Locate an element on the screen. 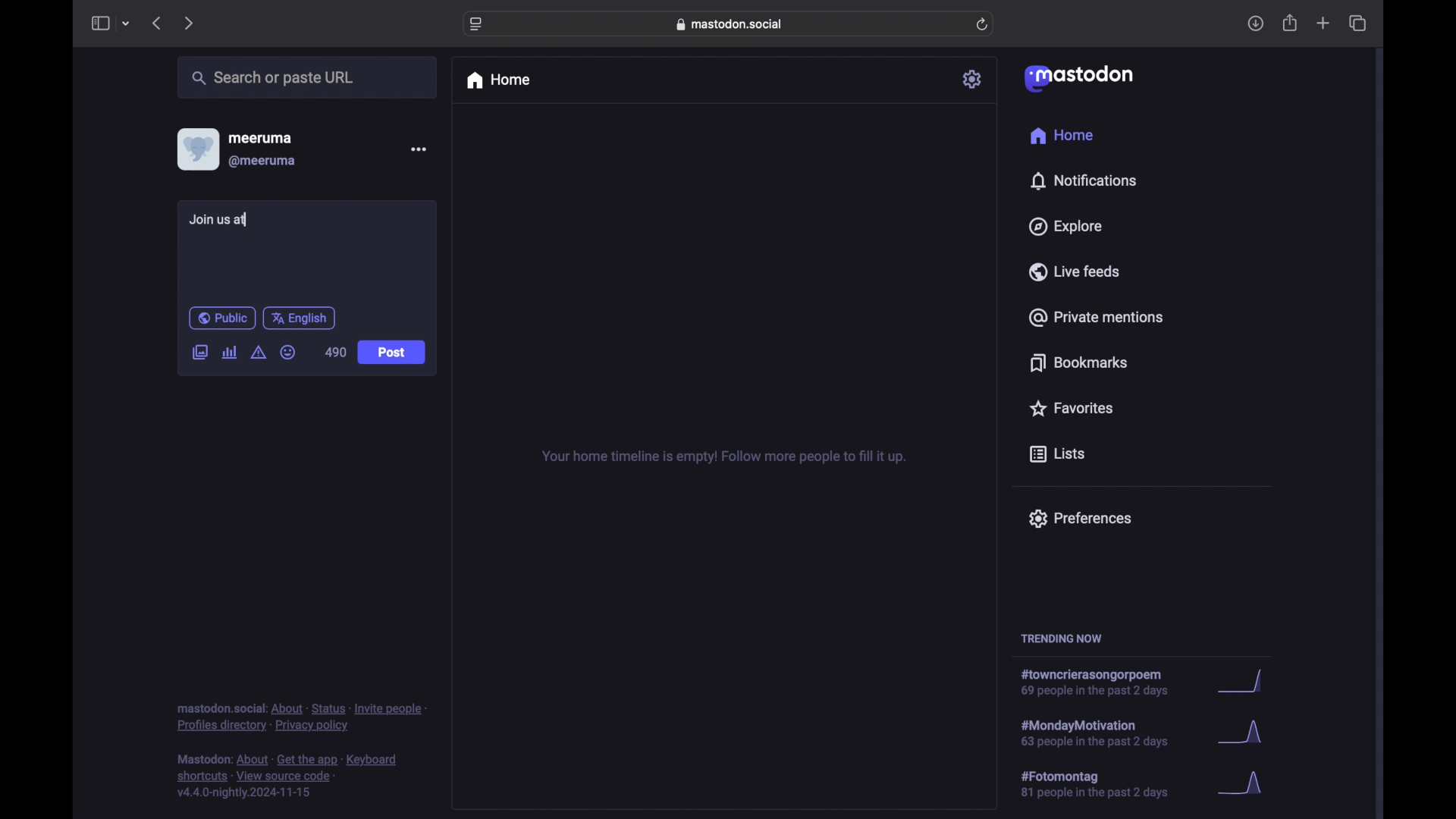  Join us is located at coordinates (222, 221).